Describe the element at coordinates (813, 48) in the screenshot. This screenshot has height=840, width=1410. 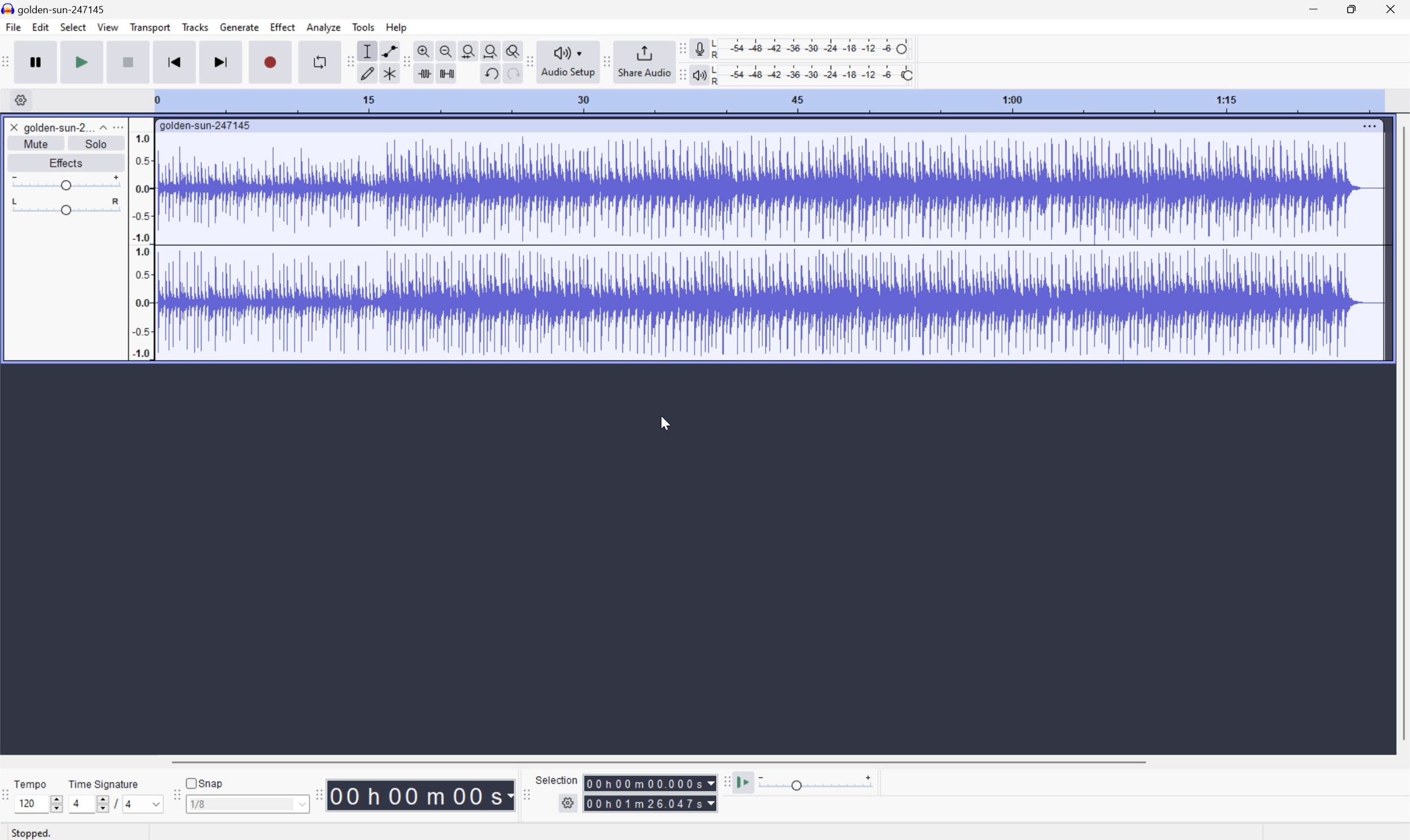
I see `Recording level: 62%` at that location.